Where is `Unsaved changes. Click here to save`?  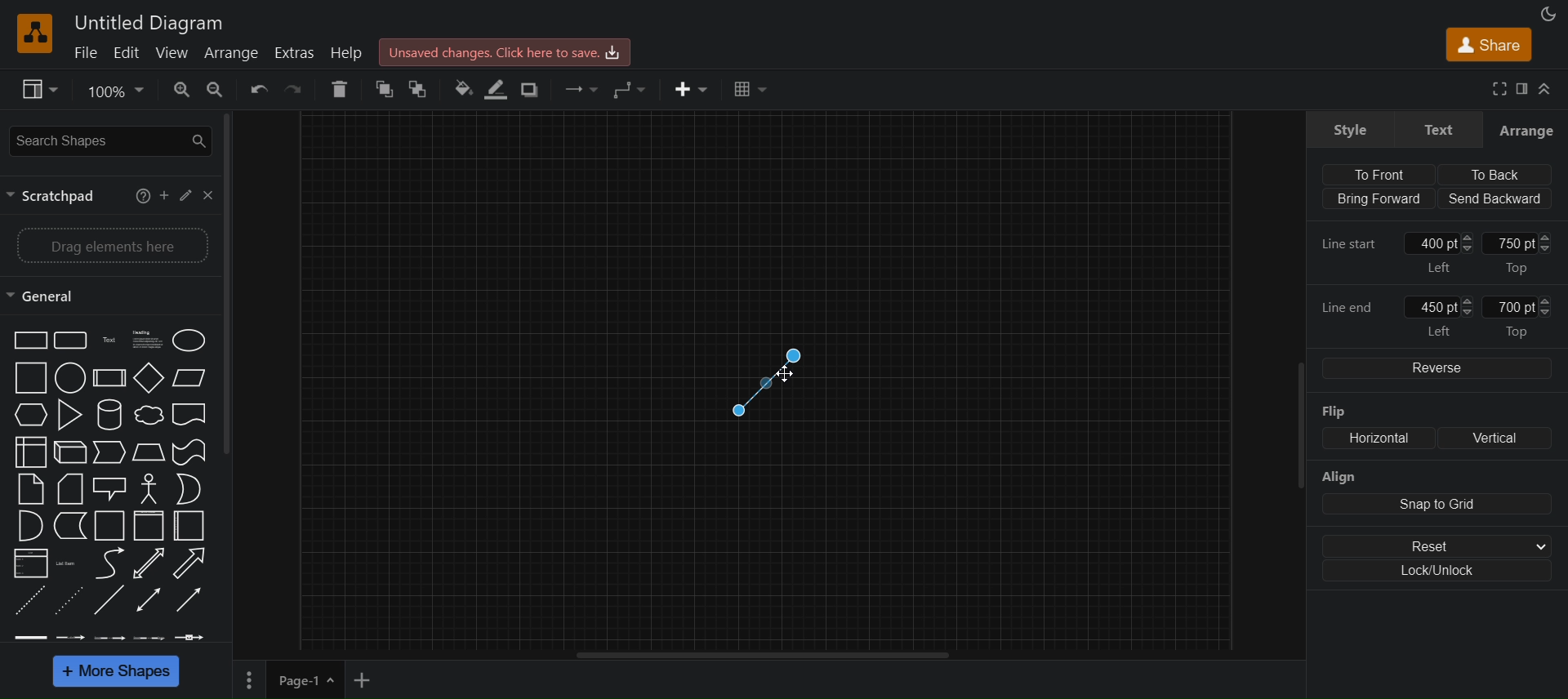 Unsaved changes. Click here to save is located at coordinates (506, 51).